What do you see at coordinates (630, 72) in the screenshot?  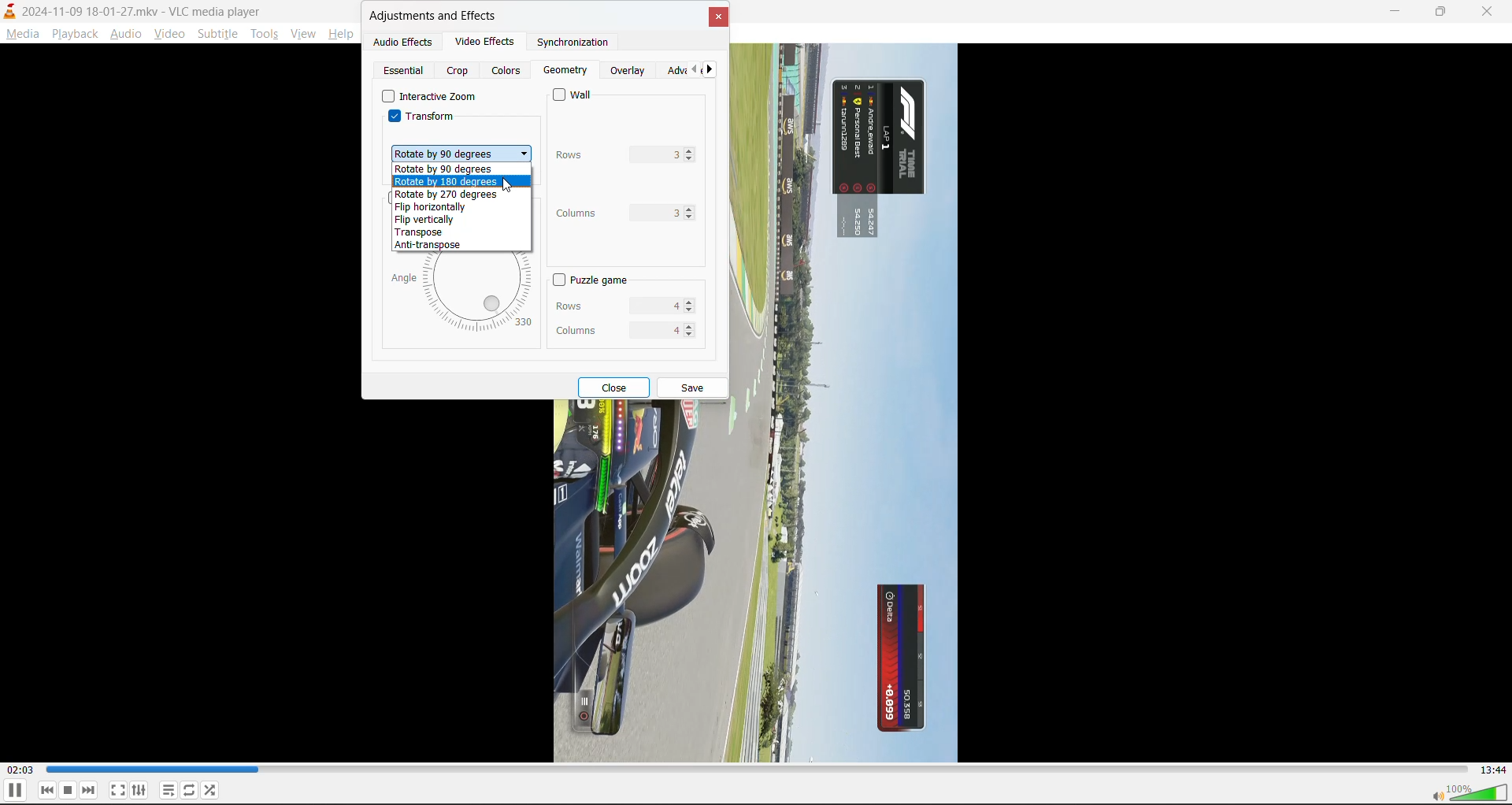 I see `overlay` at bounding box center [630, 72].